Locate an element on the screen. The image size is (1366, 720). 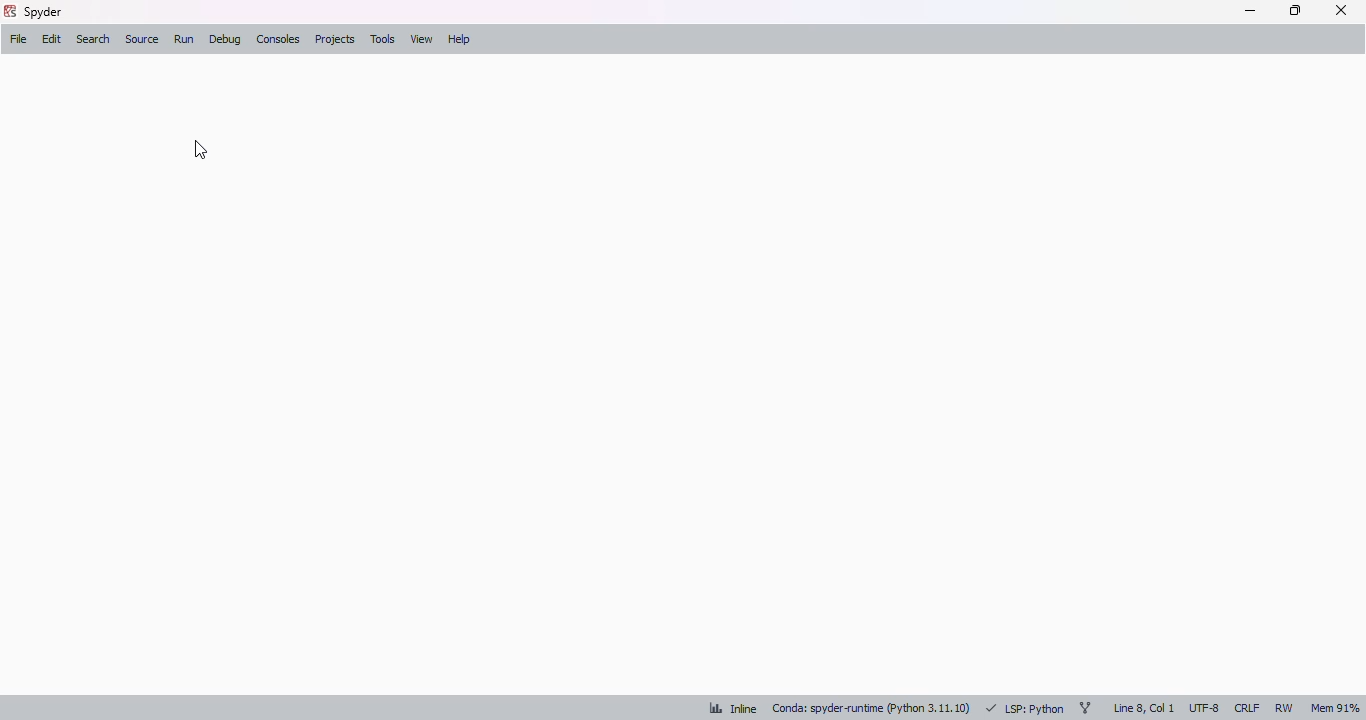
search is located at coordinates (94, 39).